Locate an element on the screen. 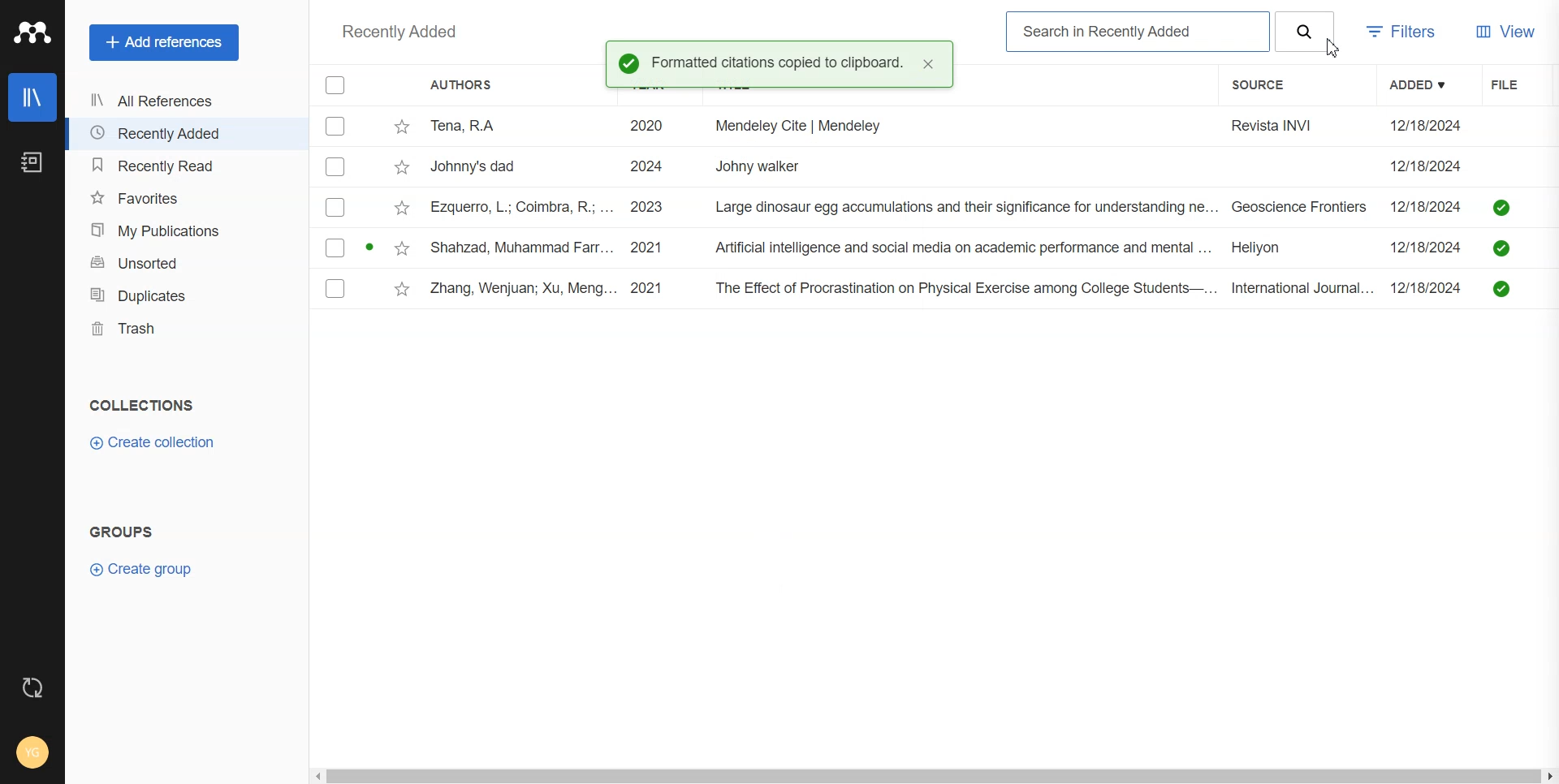 Image resolution: width=1559 pixels, height=784 pixels. Favorites is located at coordinates (186, 197).